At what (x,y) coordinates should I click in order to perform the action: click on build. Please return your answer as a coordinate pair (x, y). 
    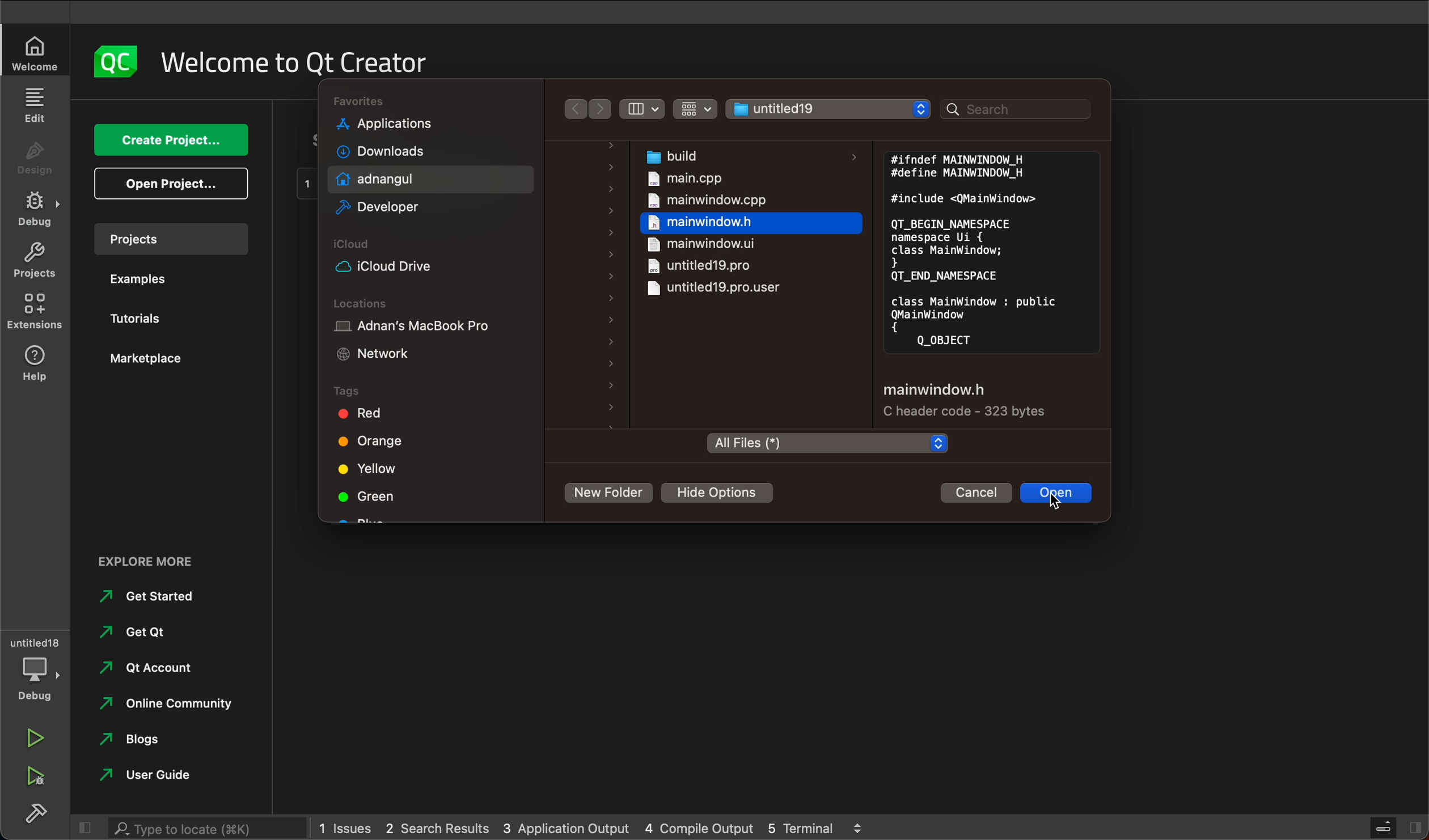
    Looking at the image, I should click on (40, 816).